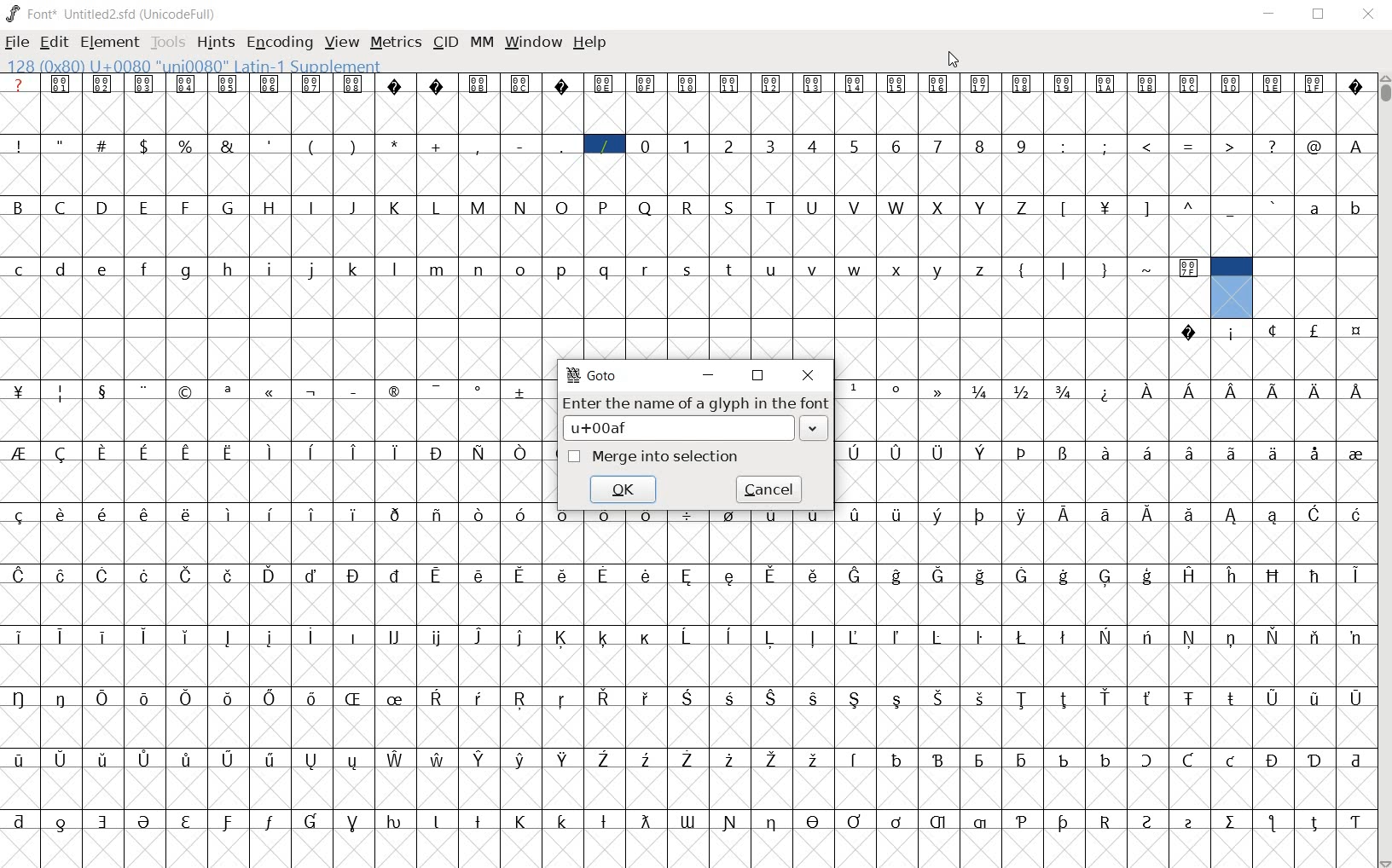 The width and height of the screenshot is (1392, 868). I want to click on Symbol, so click(1357, 330).